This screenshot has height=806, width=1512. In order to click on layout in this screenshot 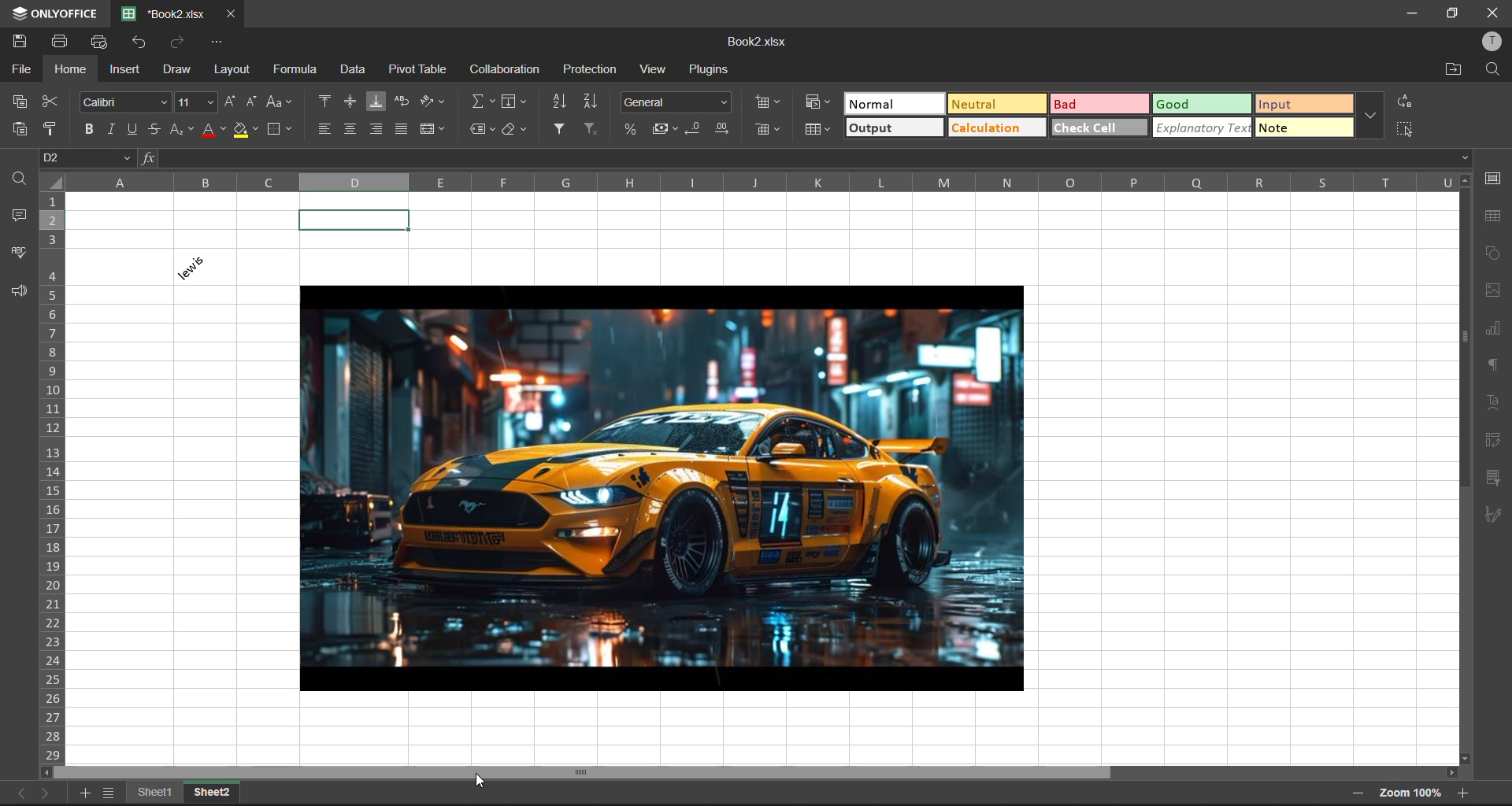, I will do `click(230, 72)`.